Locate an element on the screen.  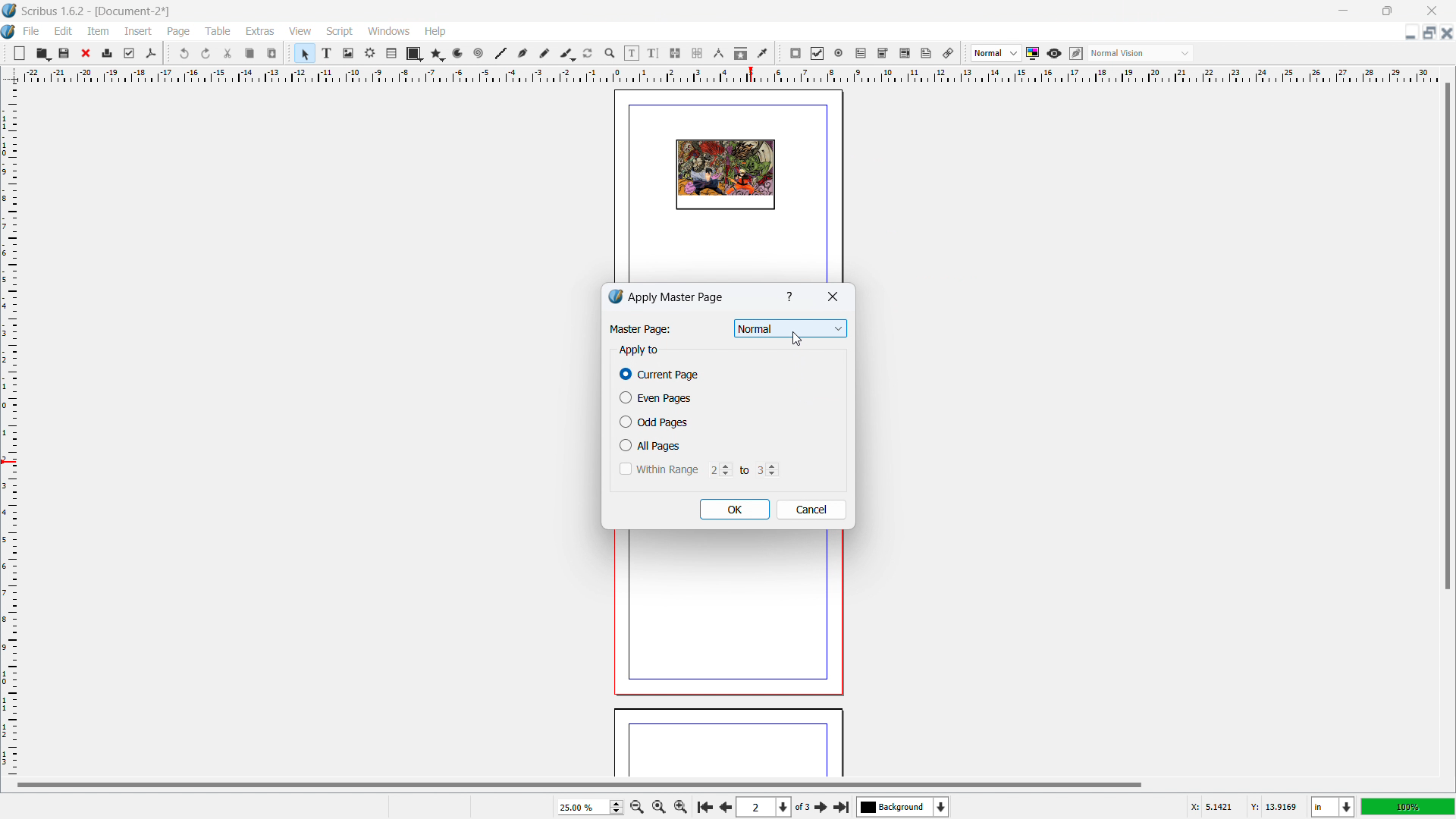
logo is located at coordinates (9, 33).